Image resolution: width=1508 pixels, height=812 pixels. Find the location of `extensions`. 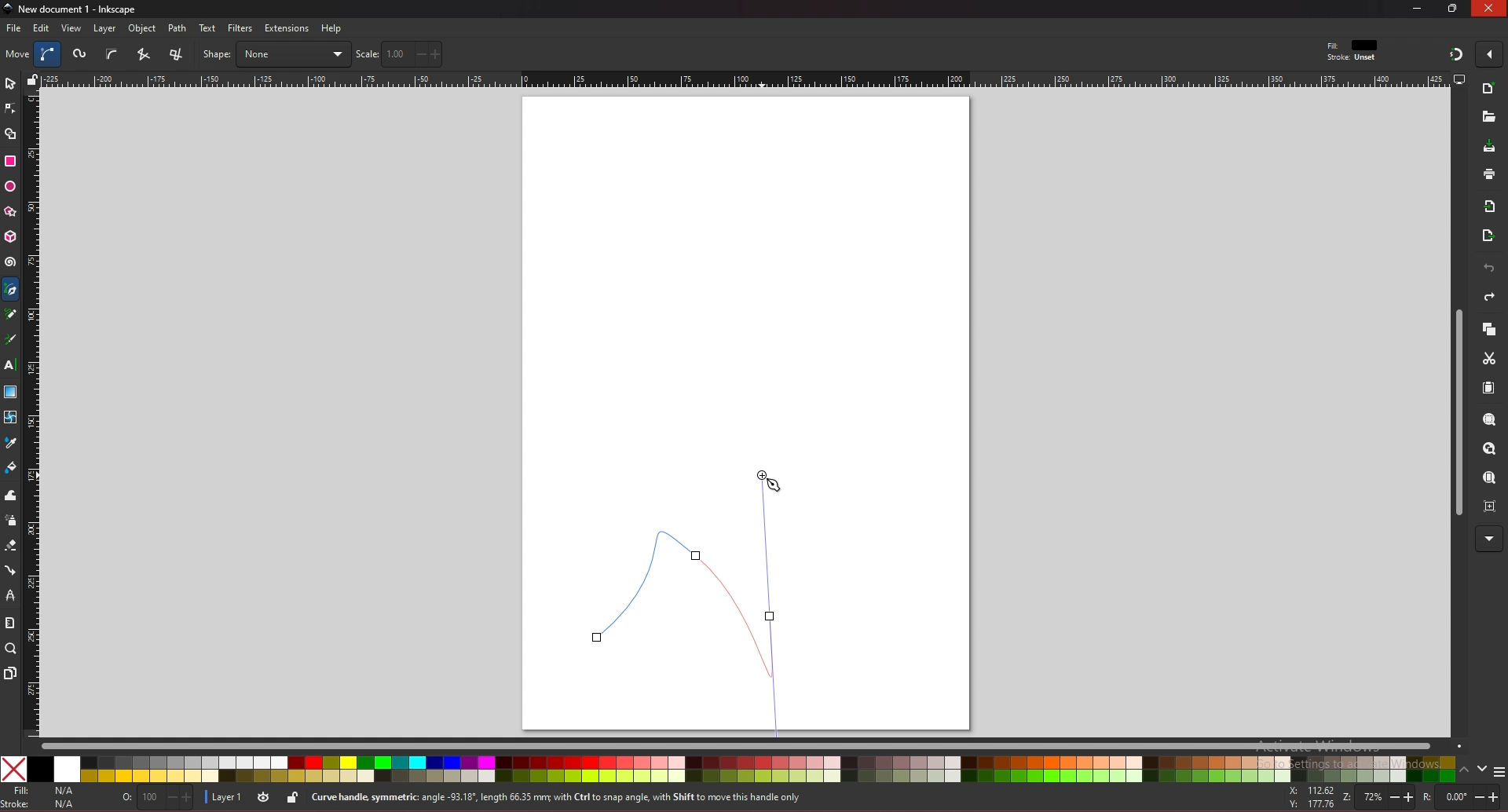

extensions is located at coordinates (286, 29).